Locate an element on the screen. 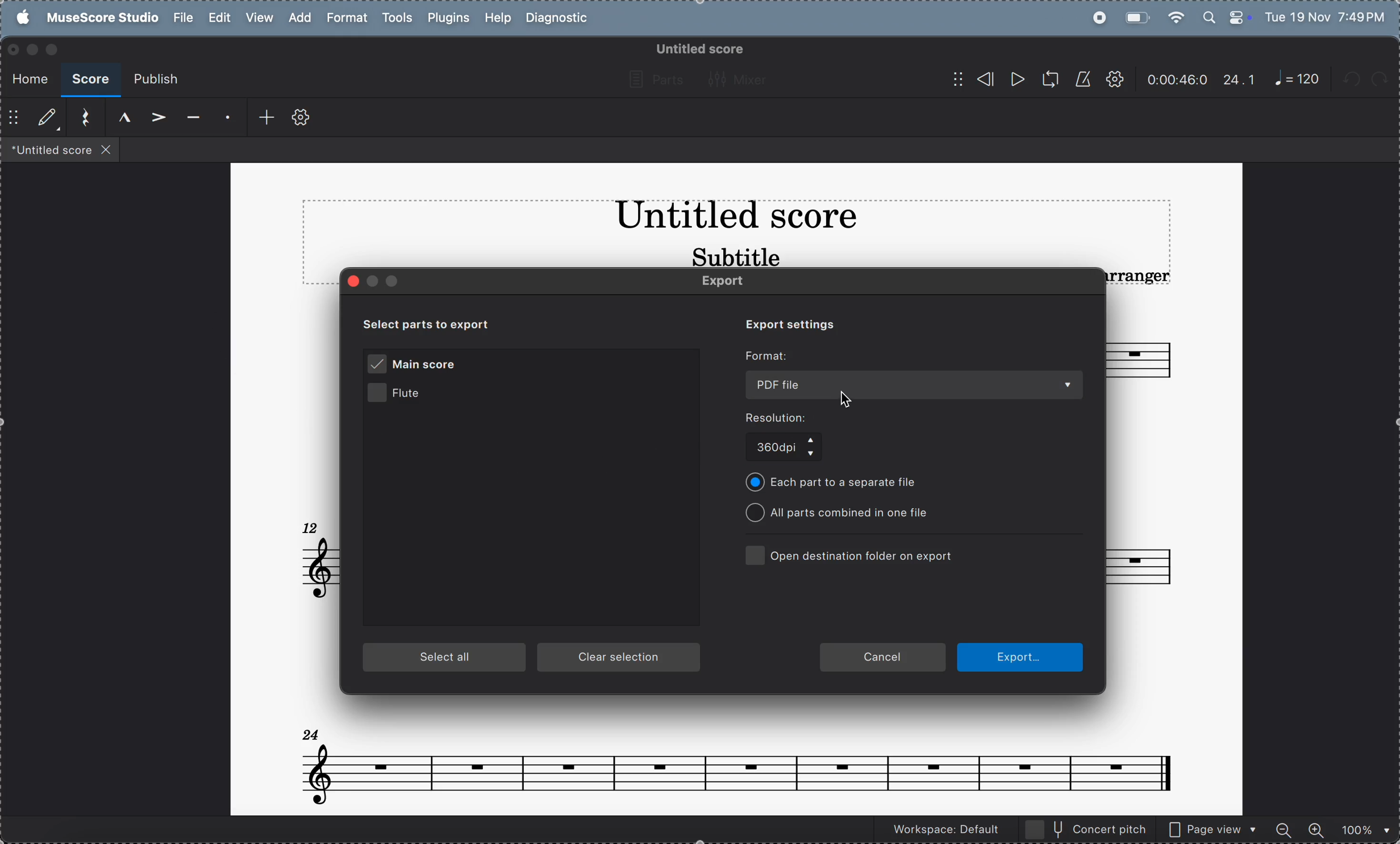 The width and height of the screenshot is (1400, 844). undo is located at coordinates (1354, 81).